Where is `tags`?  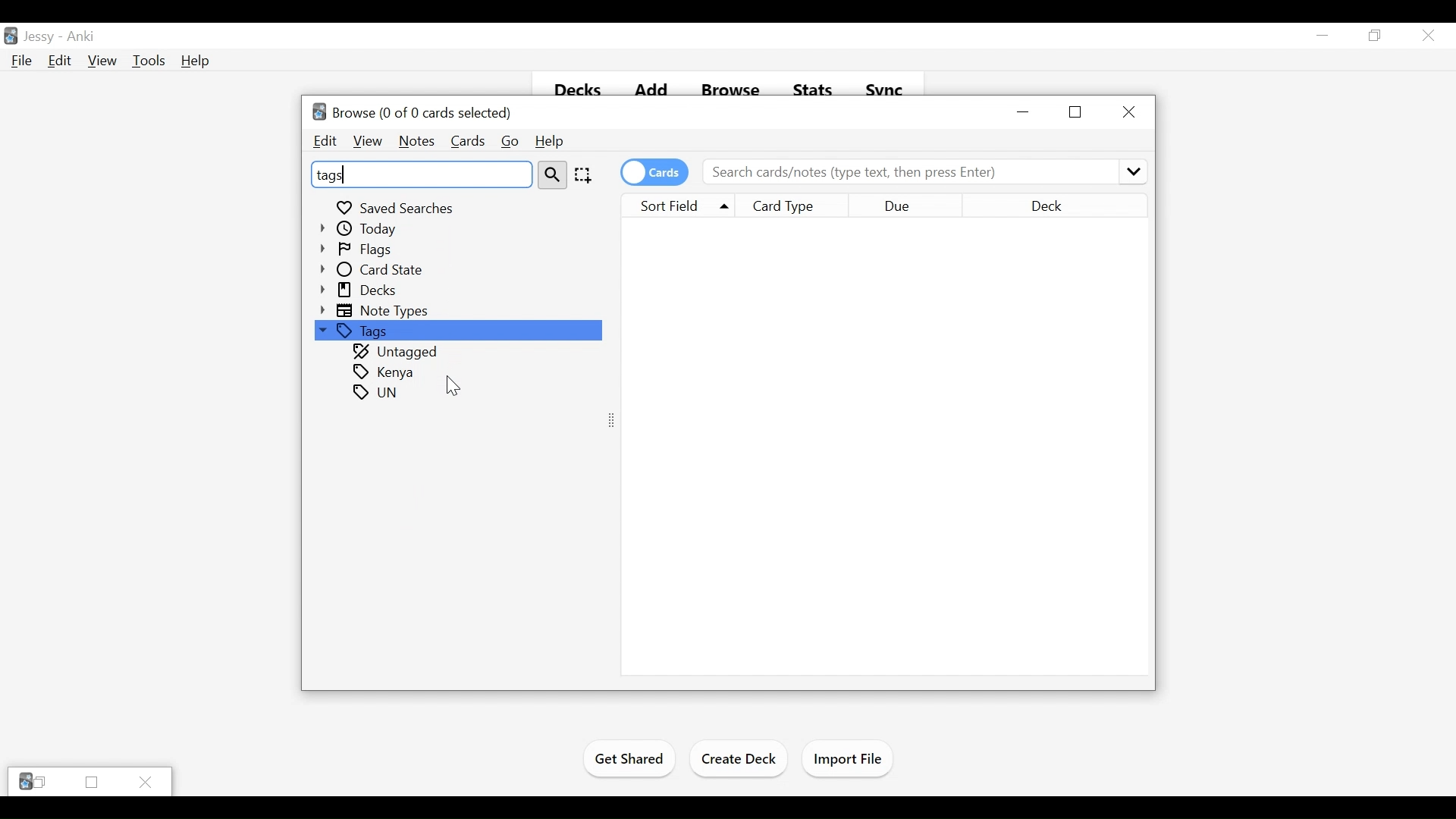 tags is located at coordinates (378, 393).